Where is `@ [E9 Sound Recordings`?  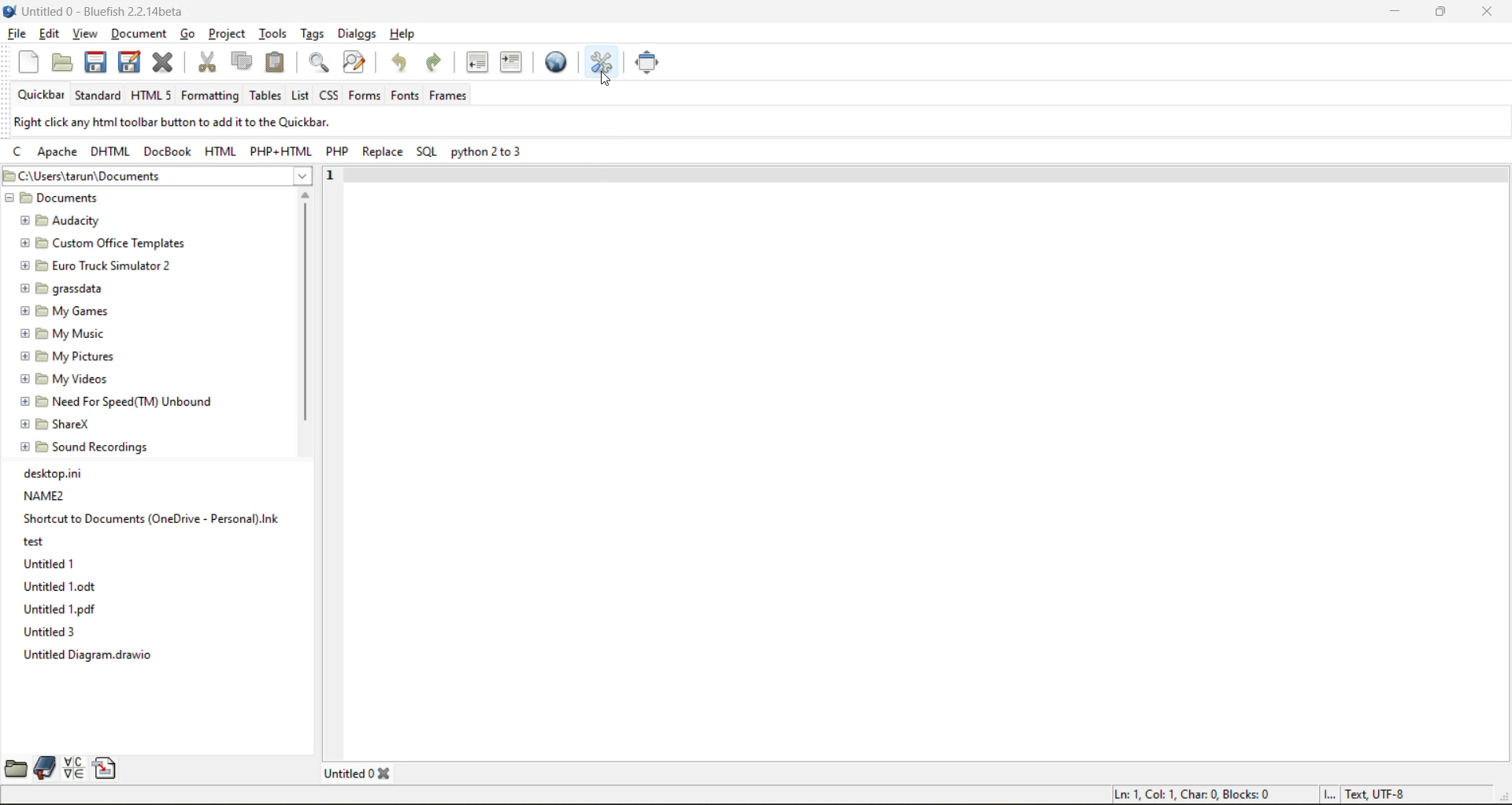
@ [E9 Sound Recordings is located at coordinates (87, 447).